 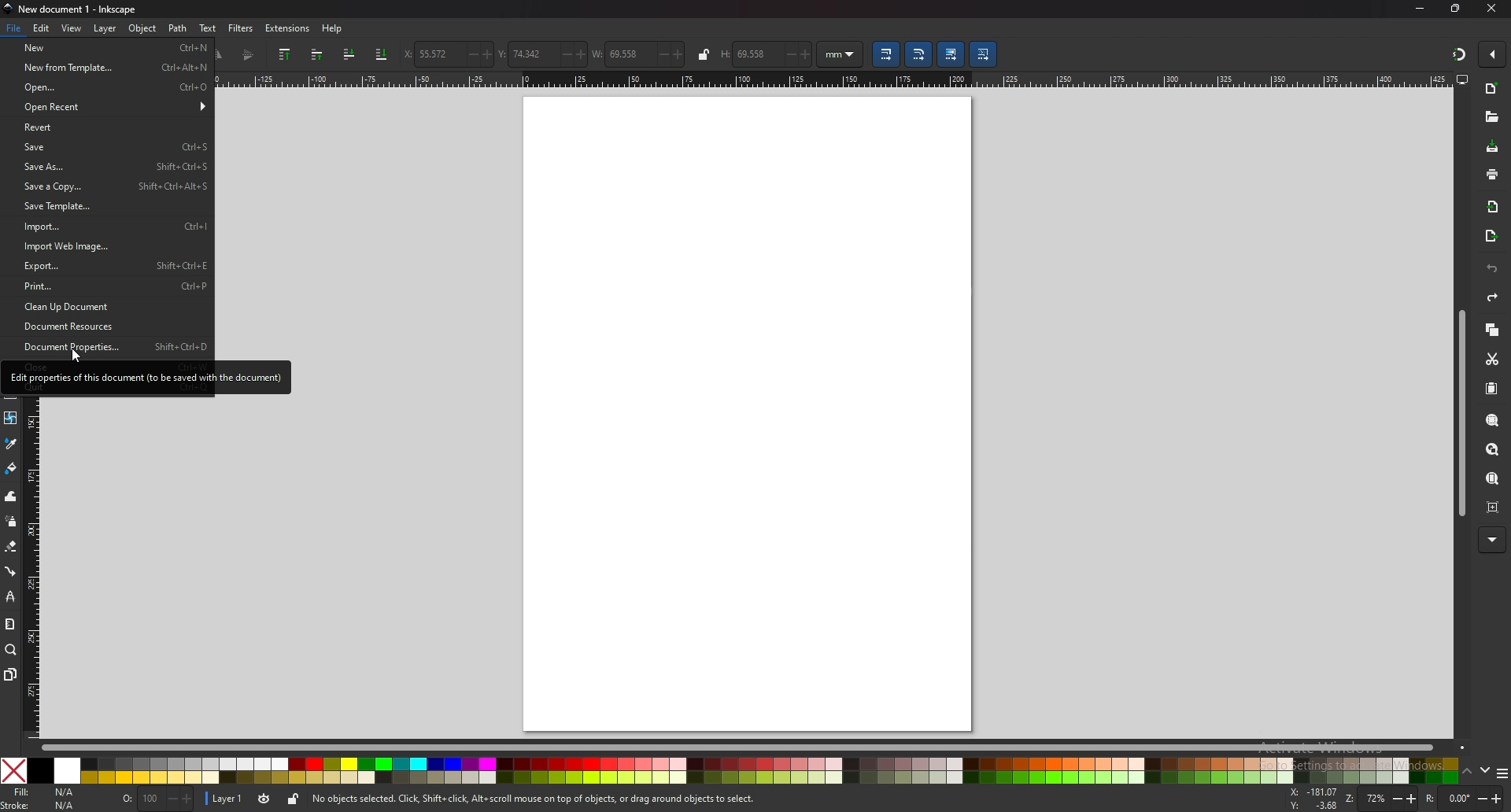 What do you see at coordinates (286, 29) in the screenshot?
I see `extensions` at bounding box center [286, 29].